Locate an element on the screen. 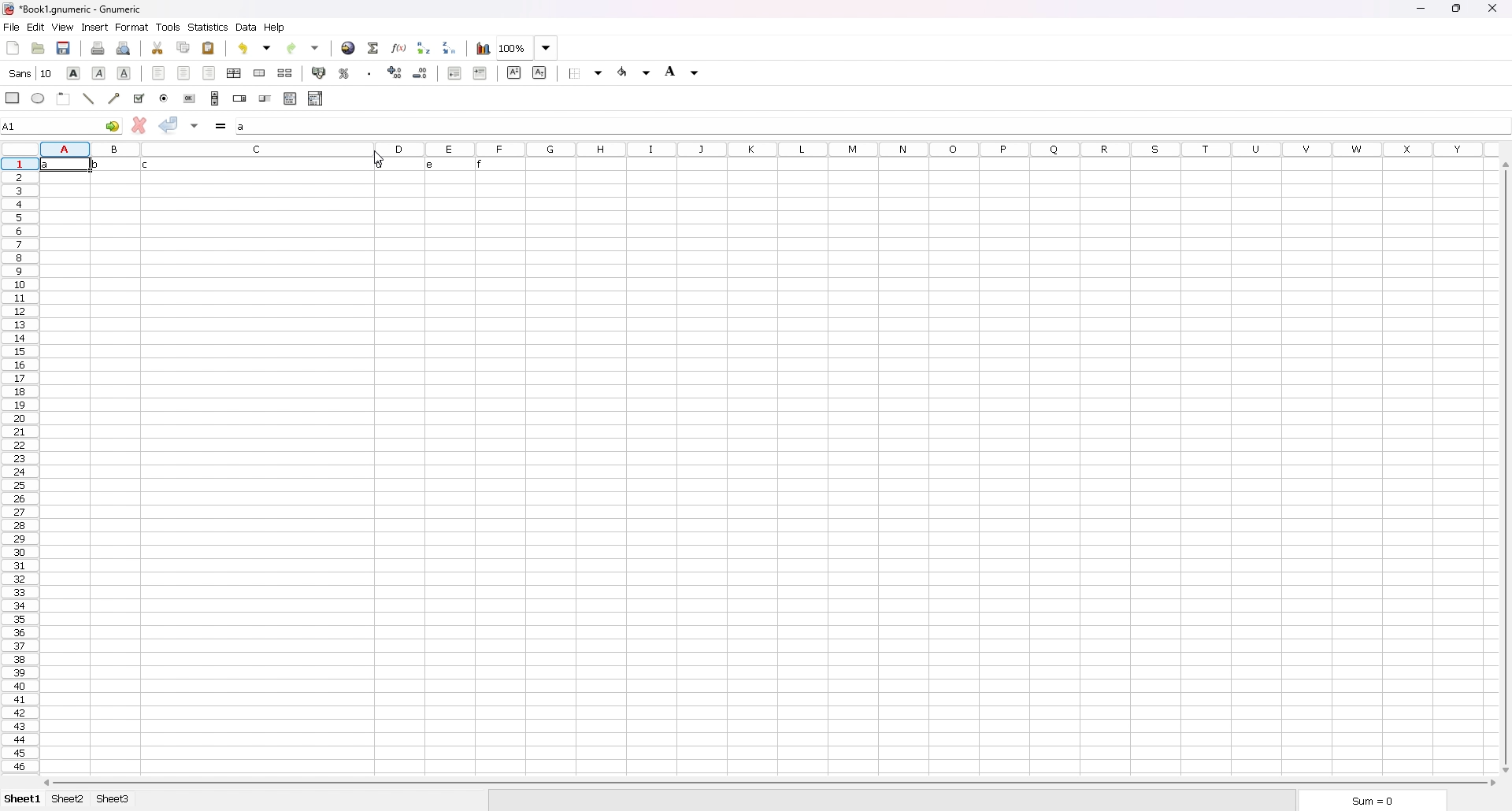 Image resolution: width=1512 pixels, height=811 pixels. foreground is located at coordinates (637, 70).